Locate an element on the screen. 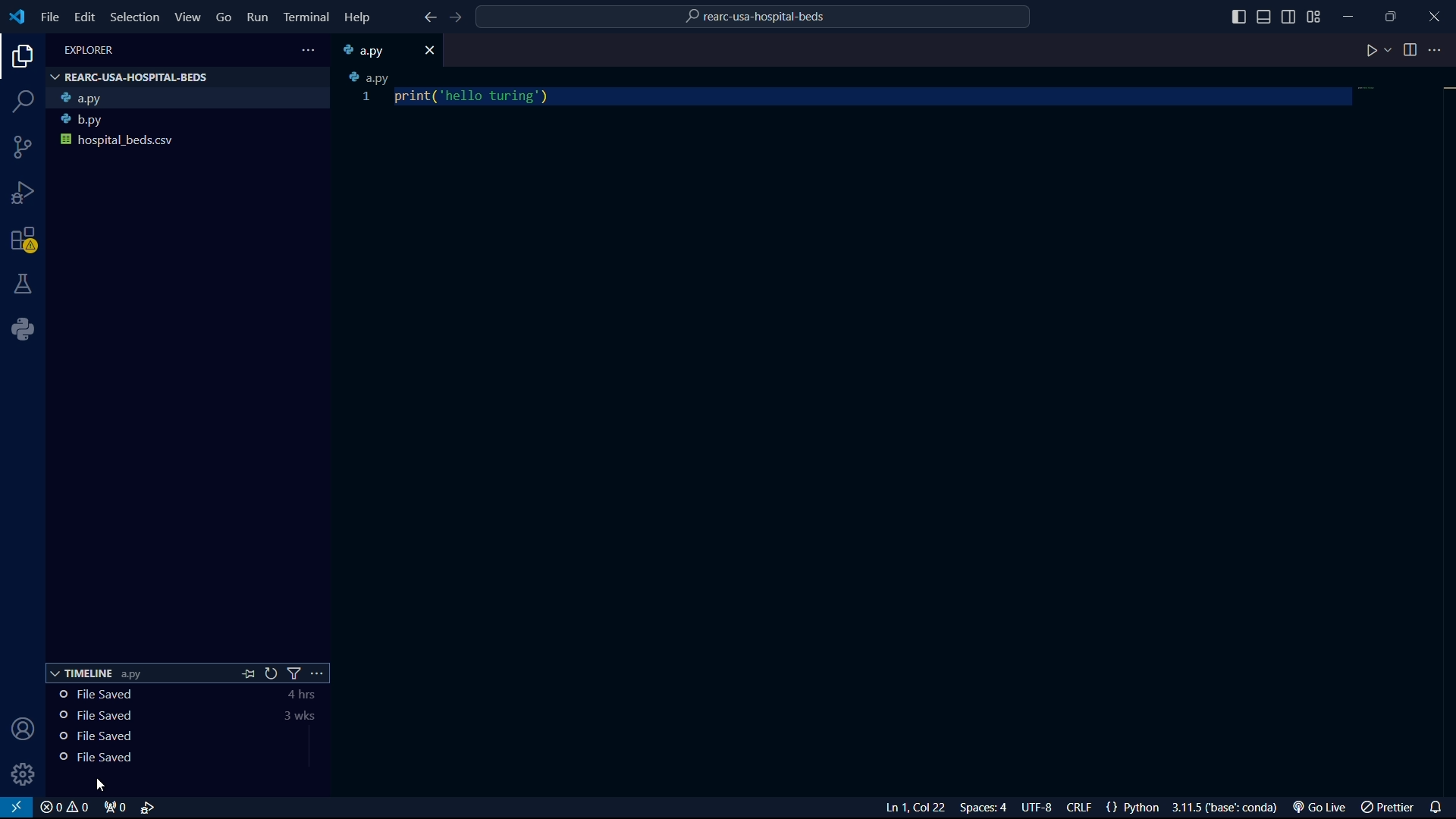 The width and height of the screenshot is (1456, 819). code is located at coordinates (475, 96).